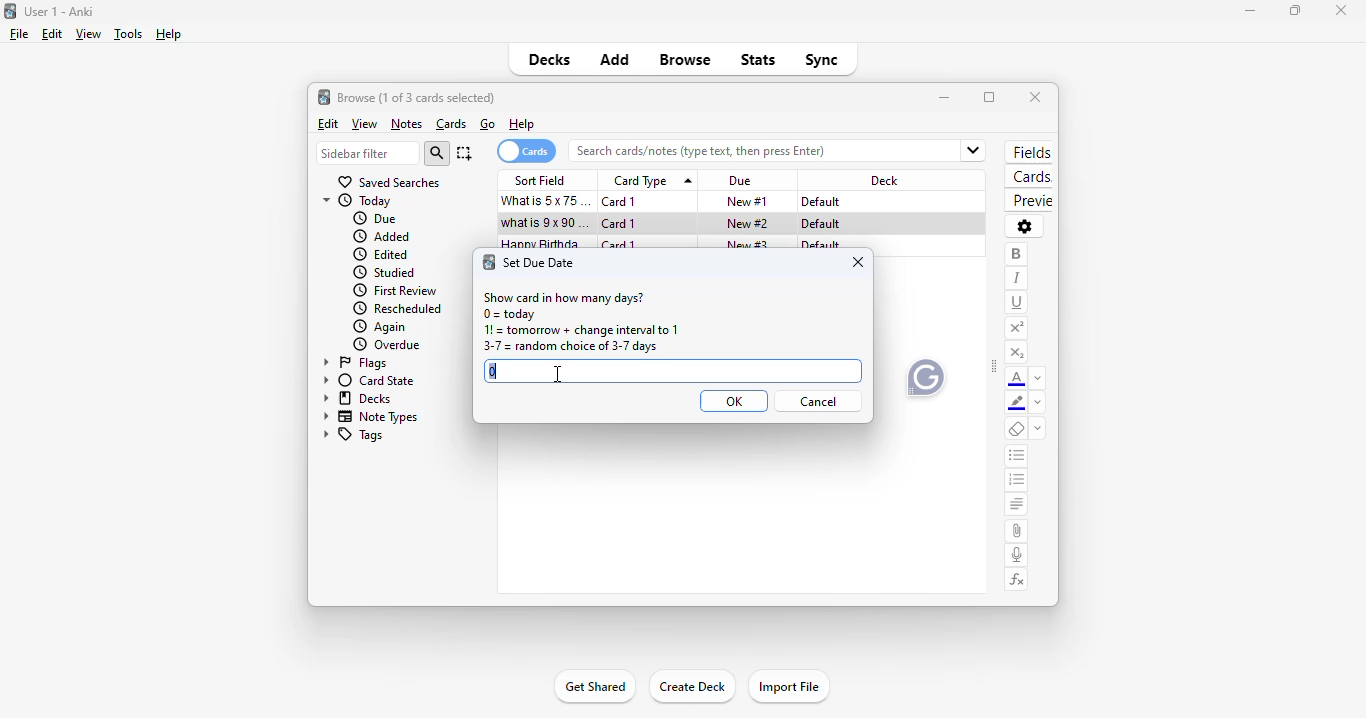 The width and height of the screenshot is (1366, 718). What do you see at coordinates (558, 374) in the screenshot?
I see `cursor` at bounding box center [558, 374].